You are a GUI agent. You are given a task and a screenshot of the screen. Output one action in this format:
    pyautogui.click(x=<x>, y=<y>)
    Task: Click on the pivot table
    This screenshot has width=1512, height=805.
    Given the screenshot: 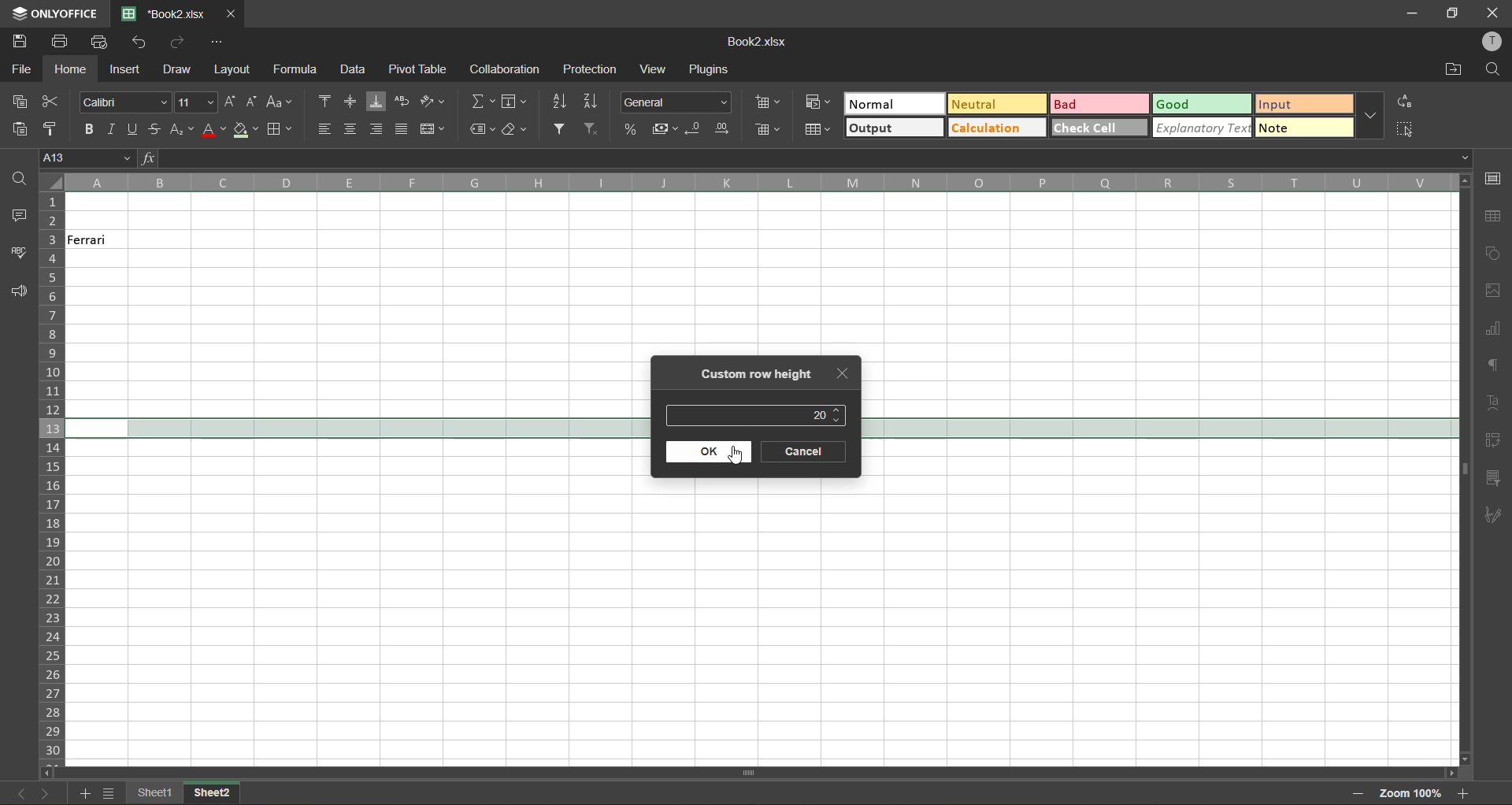 What is the action you would take?
    pyautogui.click(x=1494, y=440)
    